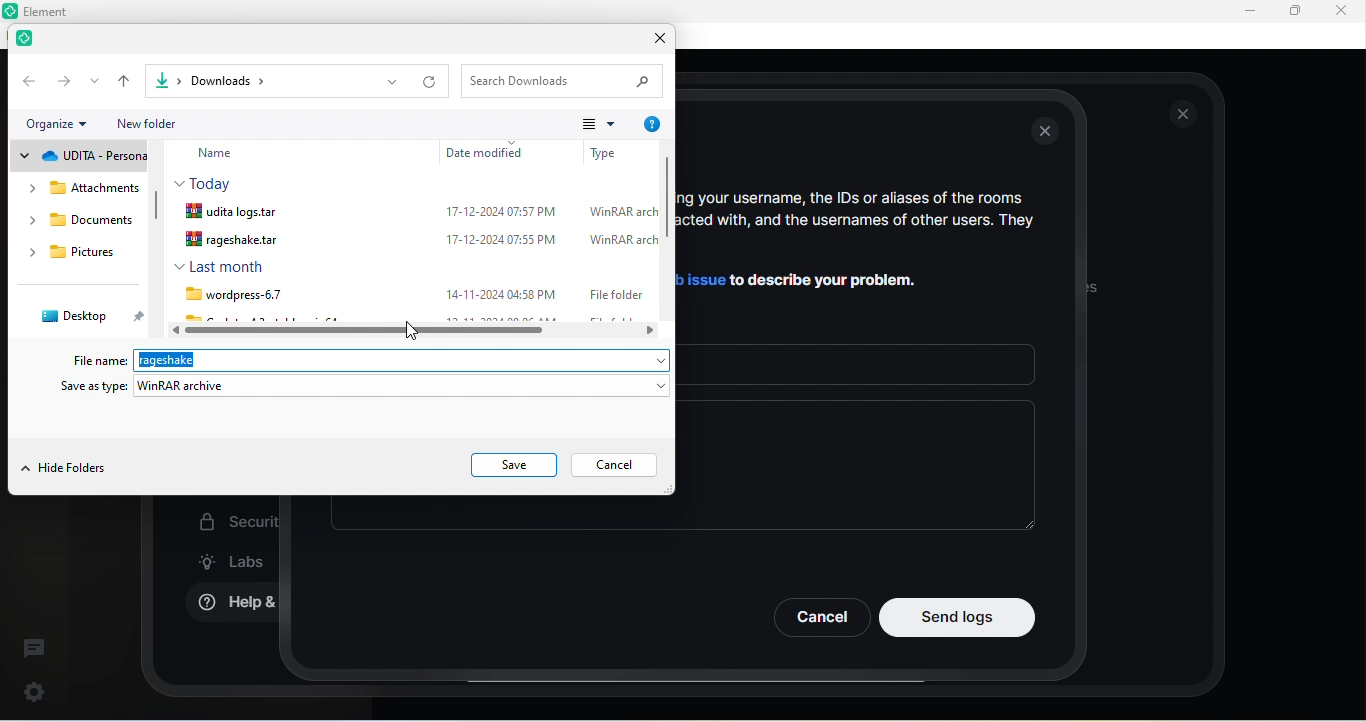  I want to click on drop down, so click(95, 81).